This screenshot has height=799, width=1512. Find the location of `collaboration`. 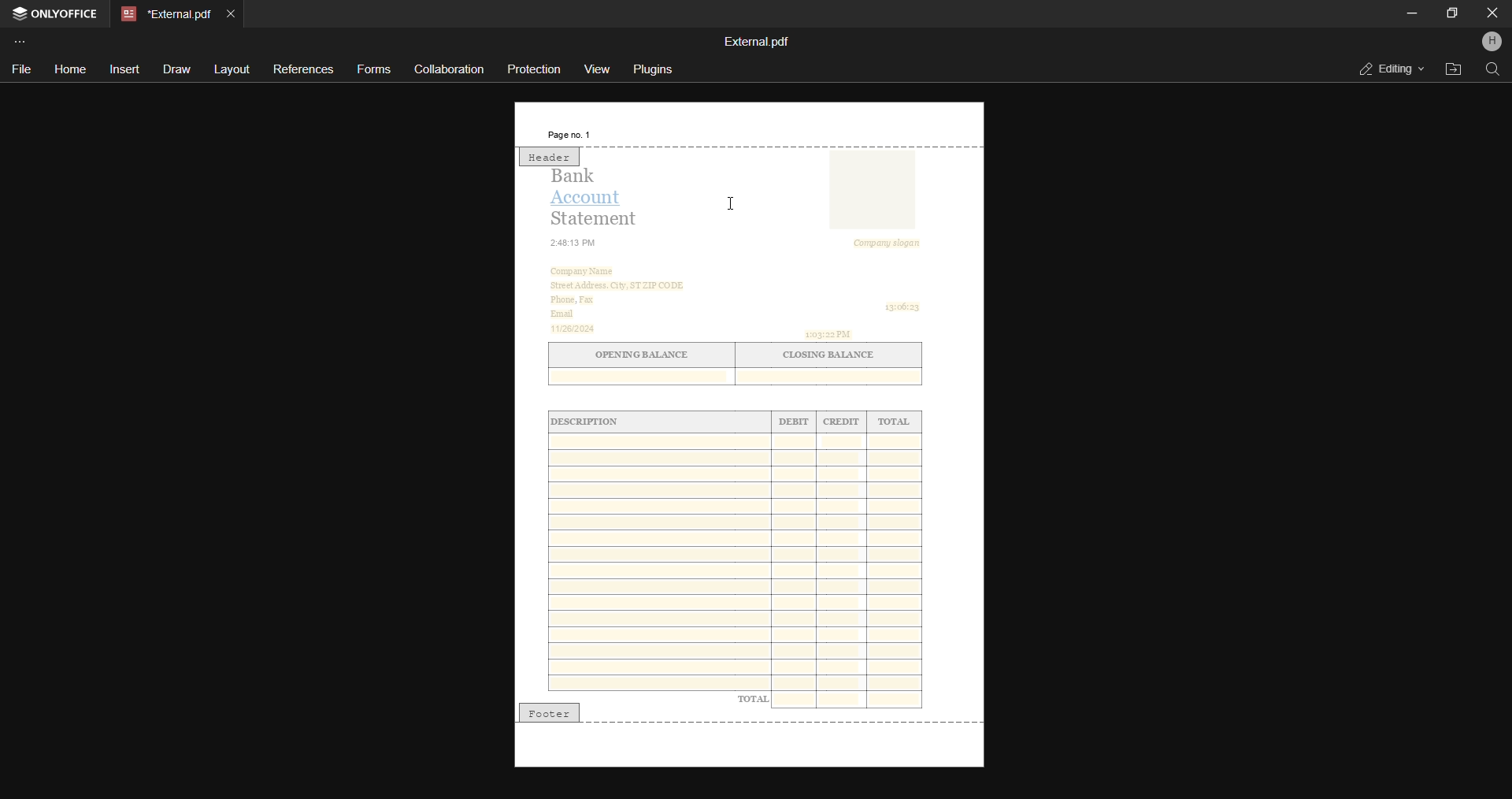

collaboration is located at coordinates (449, 68).